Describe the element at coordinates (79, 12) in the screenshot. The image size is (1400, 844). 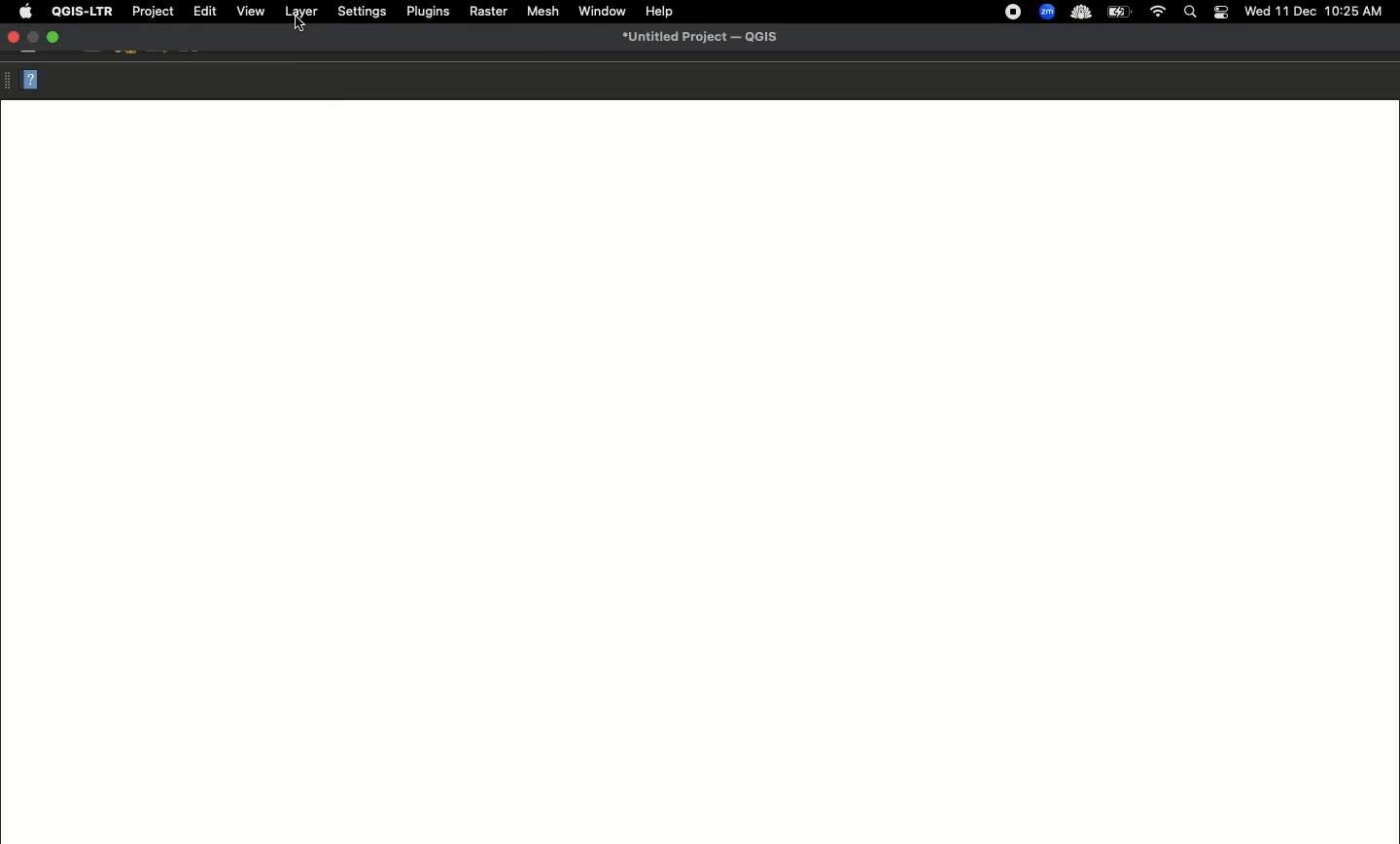
I see `QGIS-LTR` at that location.